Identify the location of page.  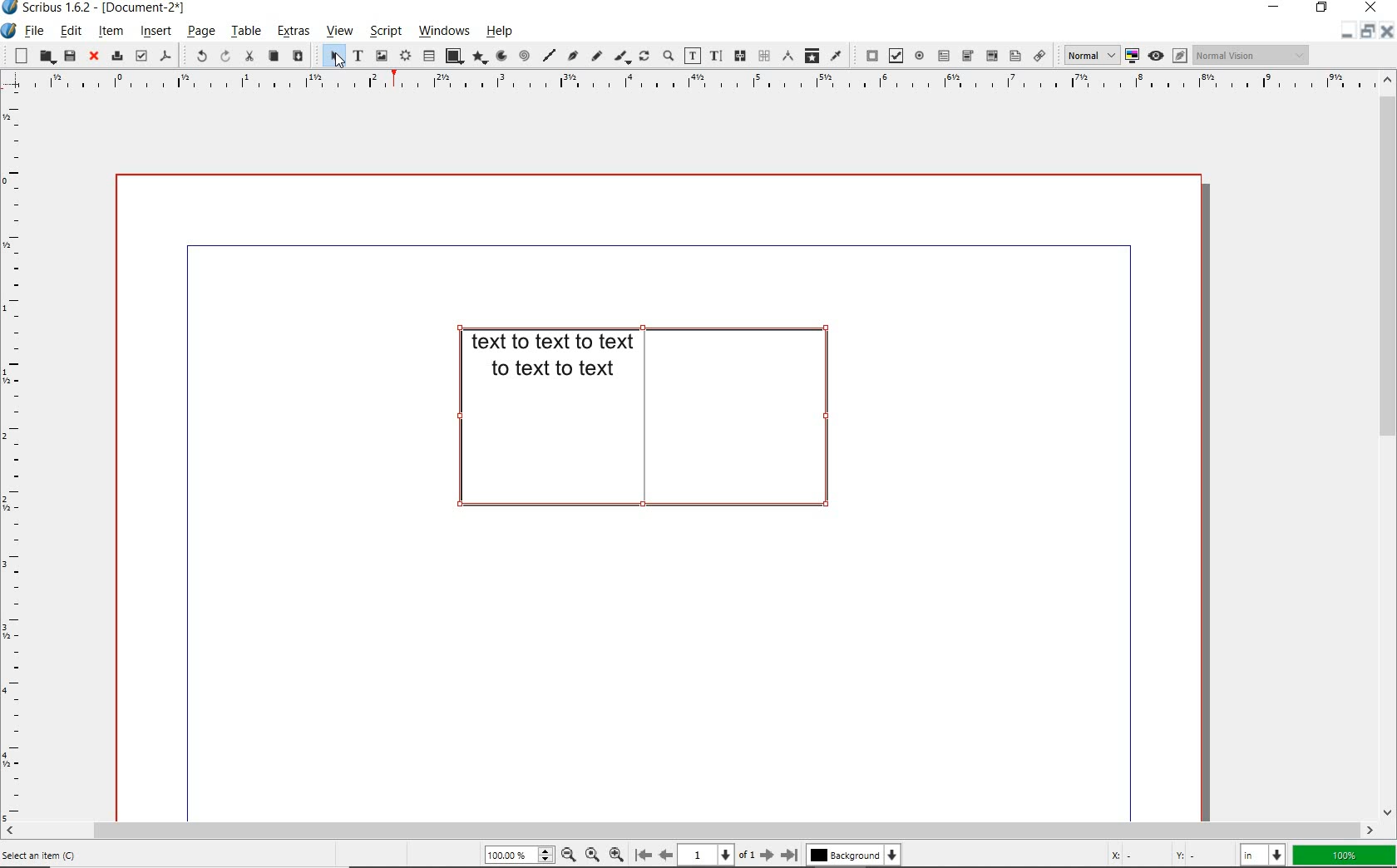
(199, 32).